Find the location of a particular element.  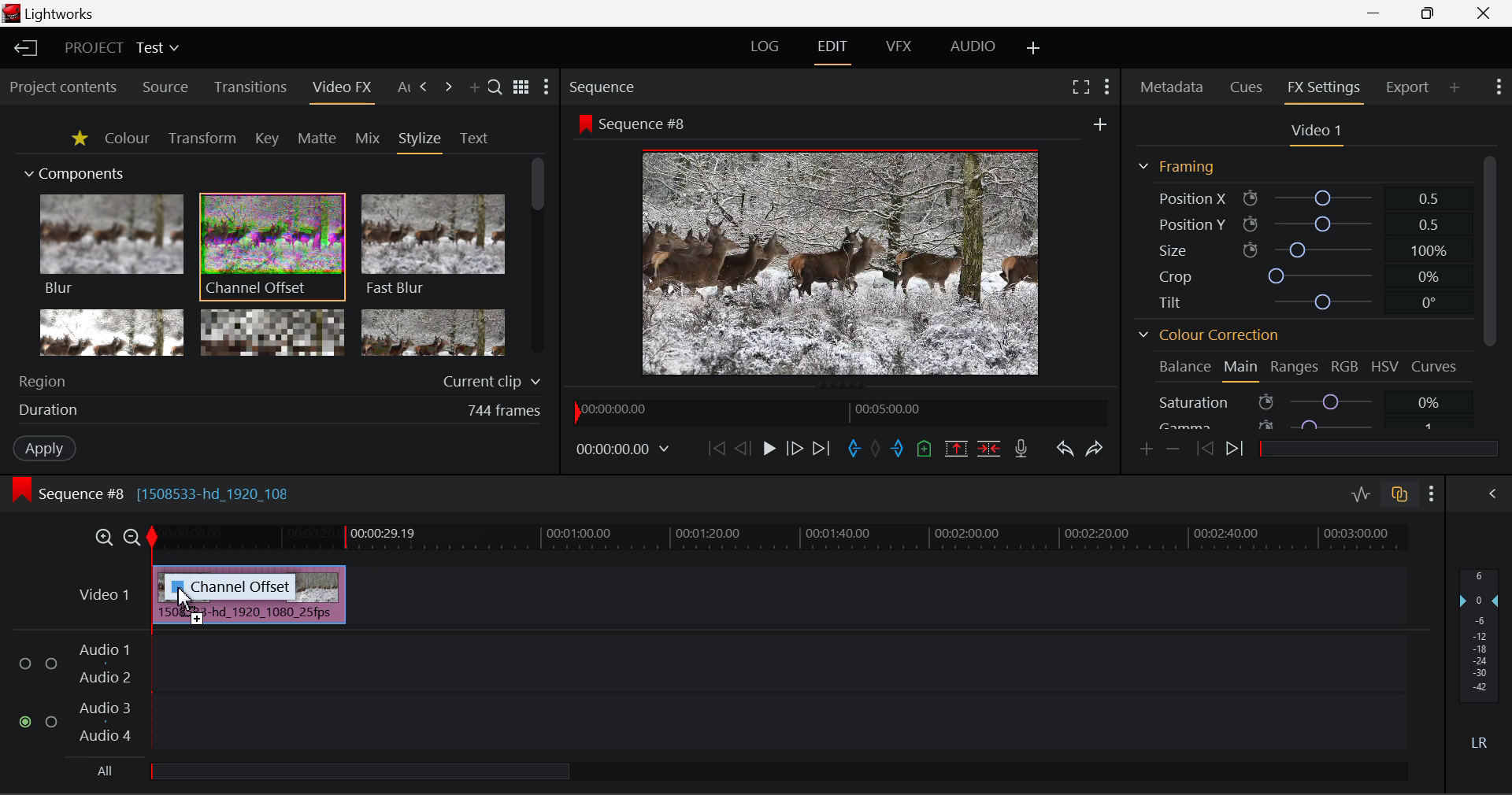

Show Settings is located at coordinates (1431, 494).